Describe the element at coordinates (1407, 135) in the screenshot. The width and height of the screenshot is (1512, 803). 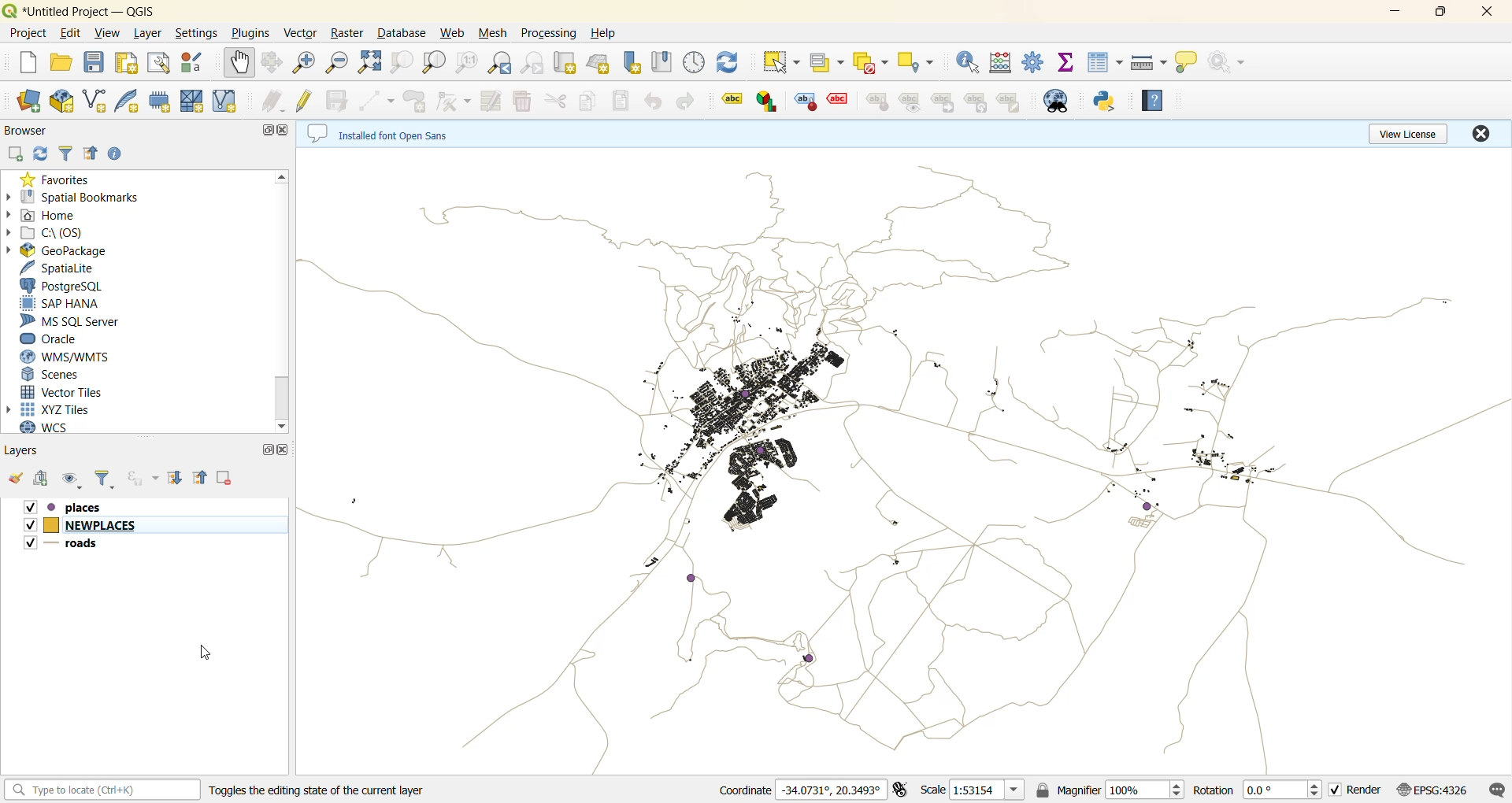
I see `view license` at that location.